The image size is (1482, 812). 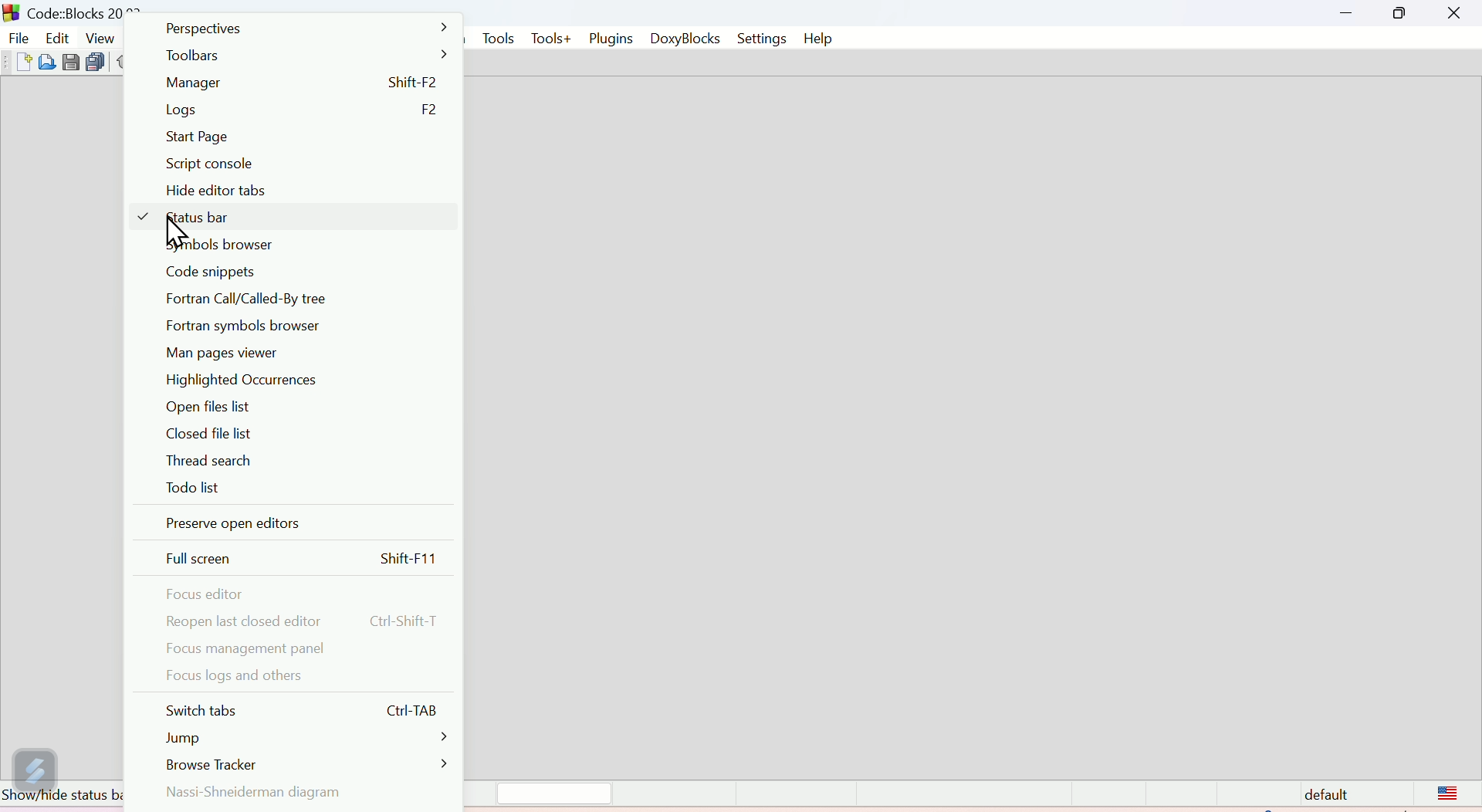 I want to click on Show/hide status bar, so click(x=57, y=798).